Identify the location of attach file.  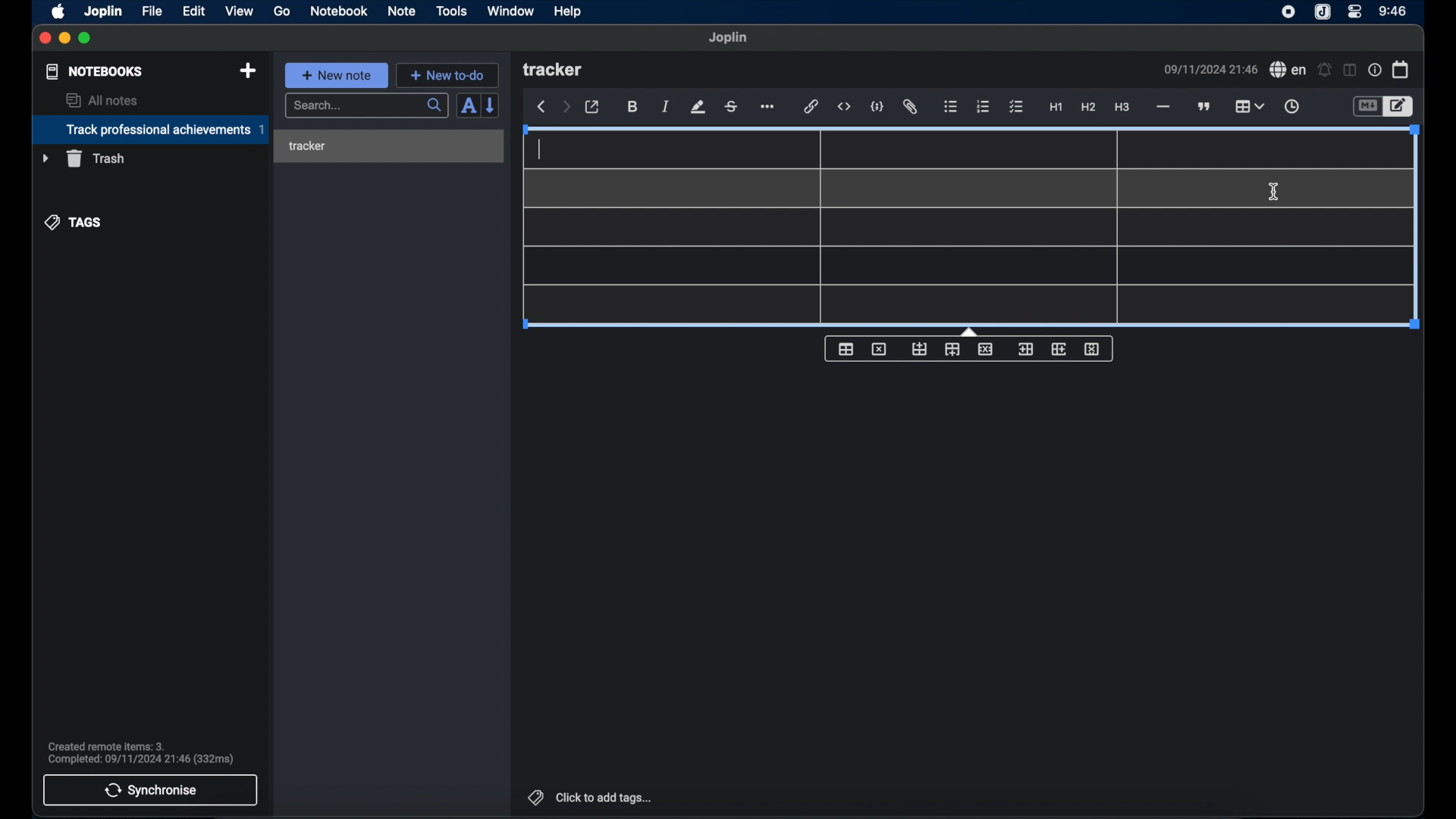
(912, 108).